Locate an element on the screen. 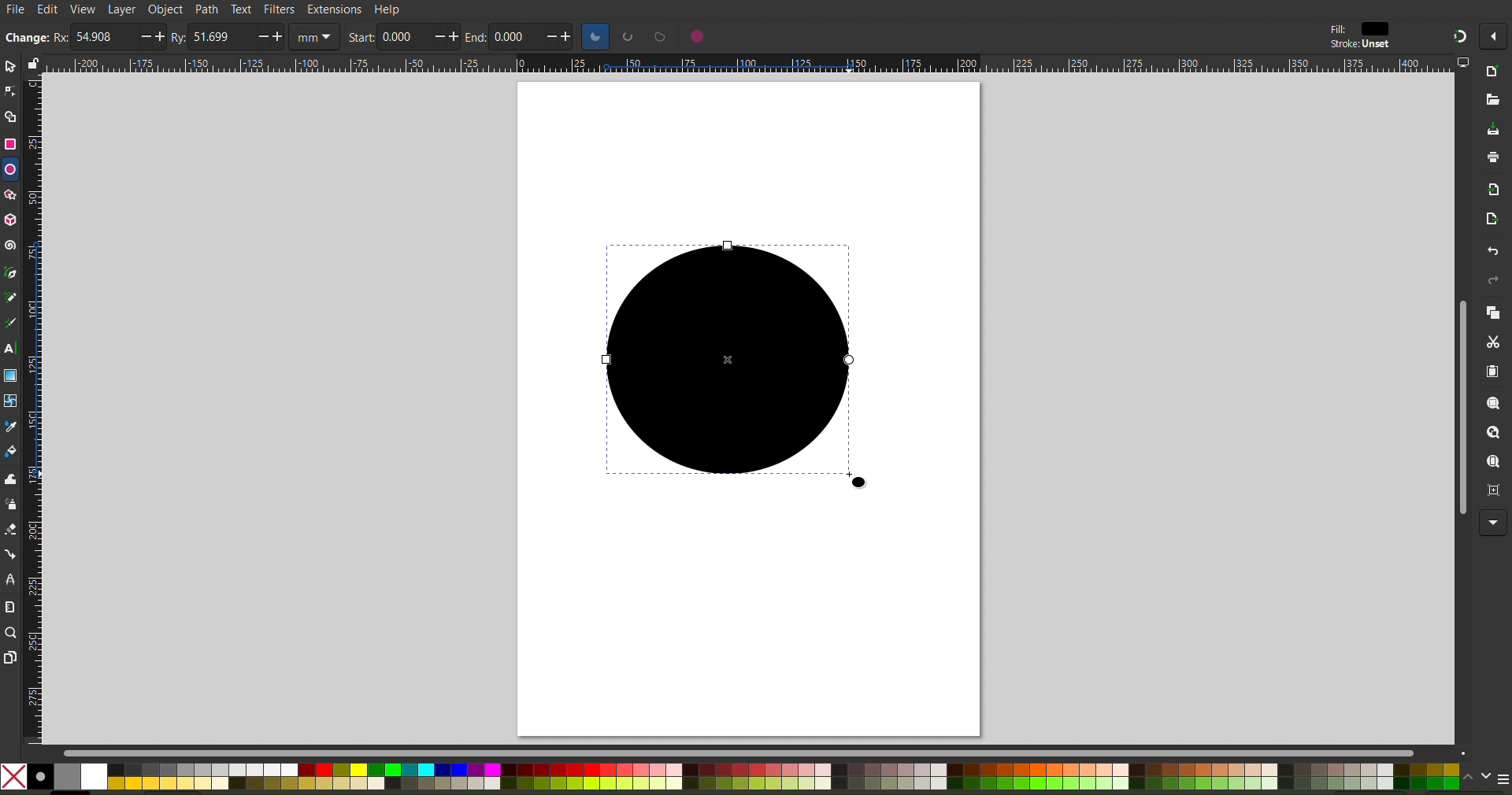 This screenshot has width=1512, height=795. circle options is located at coordinates (662, 36).